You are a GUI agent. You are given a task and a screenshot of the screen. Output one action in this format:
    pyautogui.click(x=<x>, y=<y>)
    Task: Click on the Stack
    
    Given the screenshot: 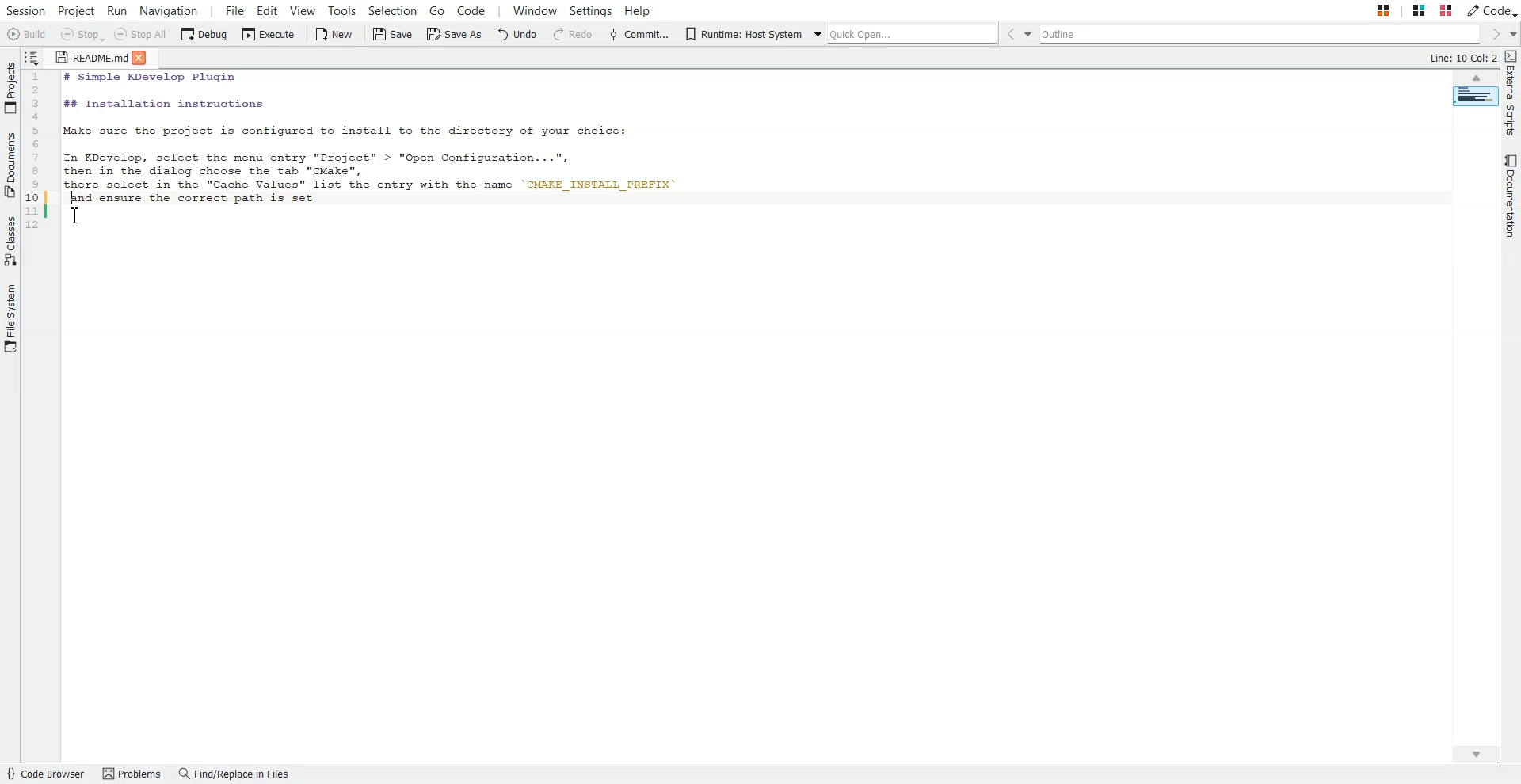 What is the action you would take?
    pyautogui.click(x=1402, y=10)
    